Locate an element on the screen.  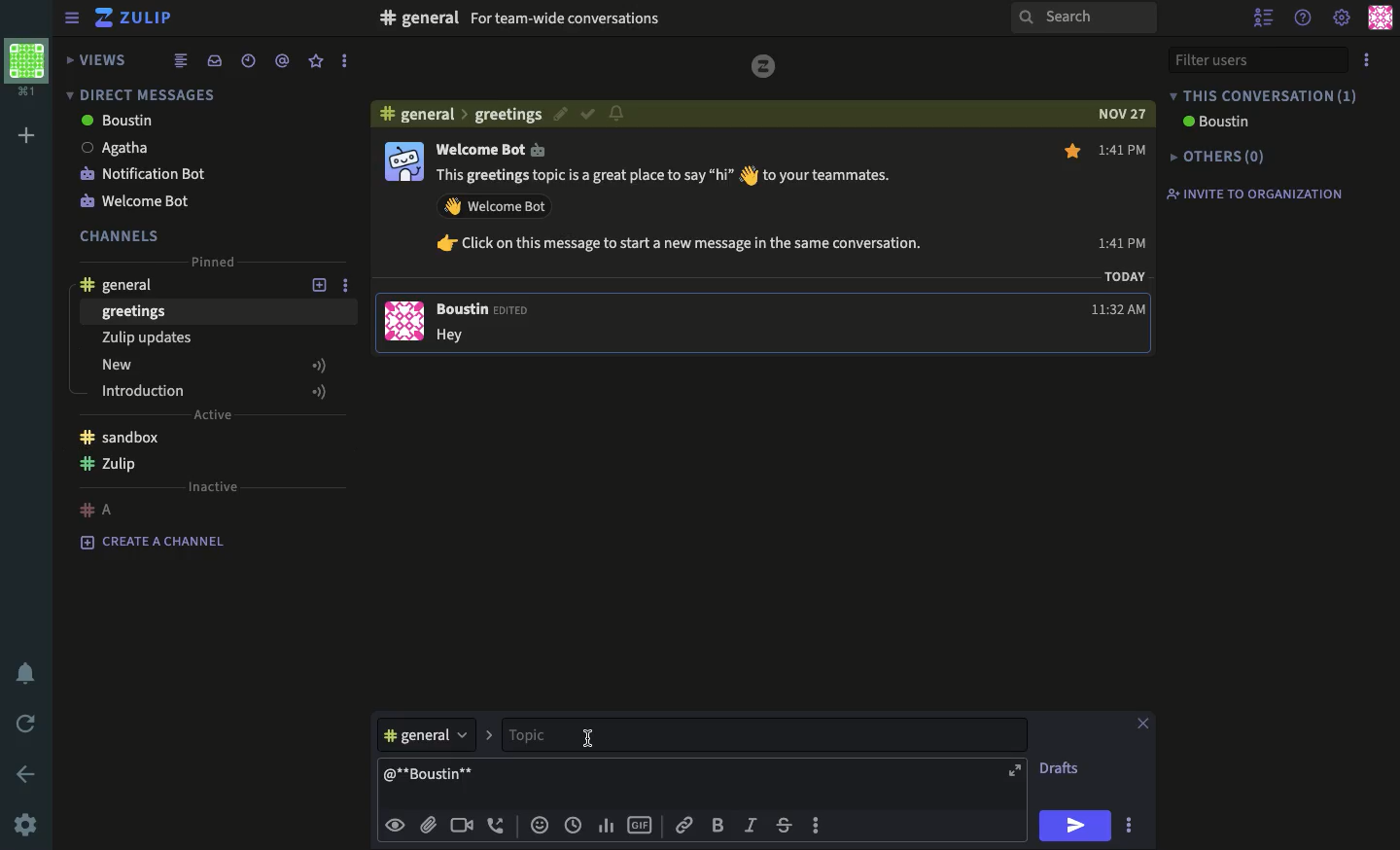
Zulip is located at coordinates (109, 464).